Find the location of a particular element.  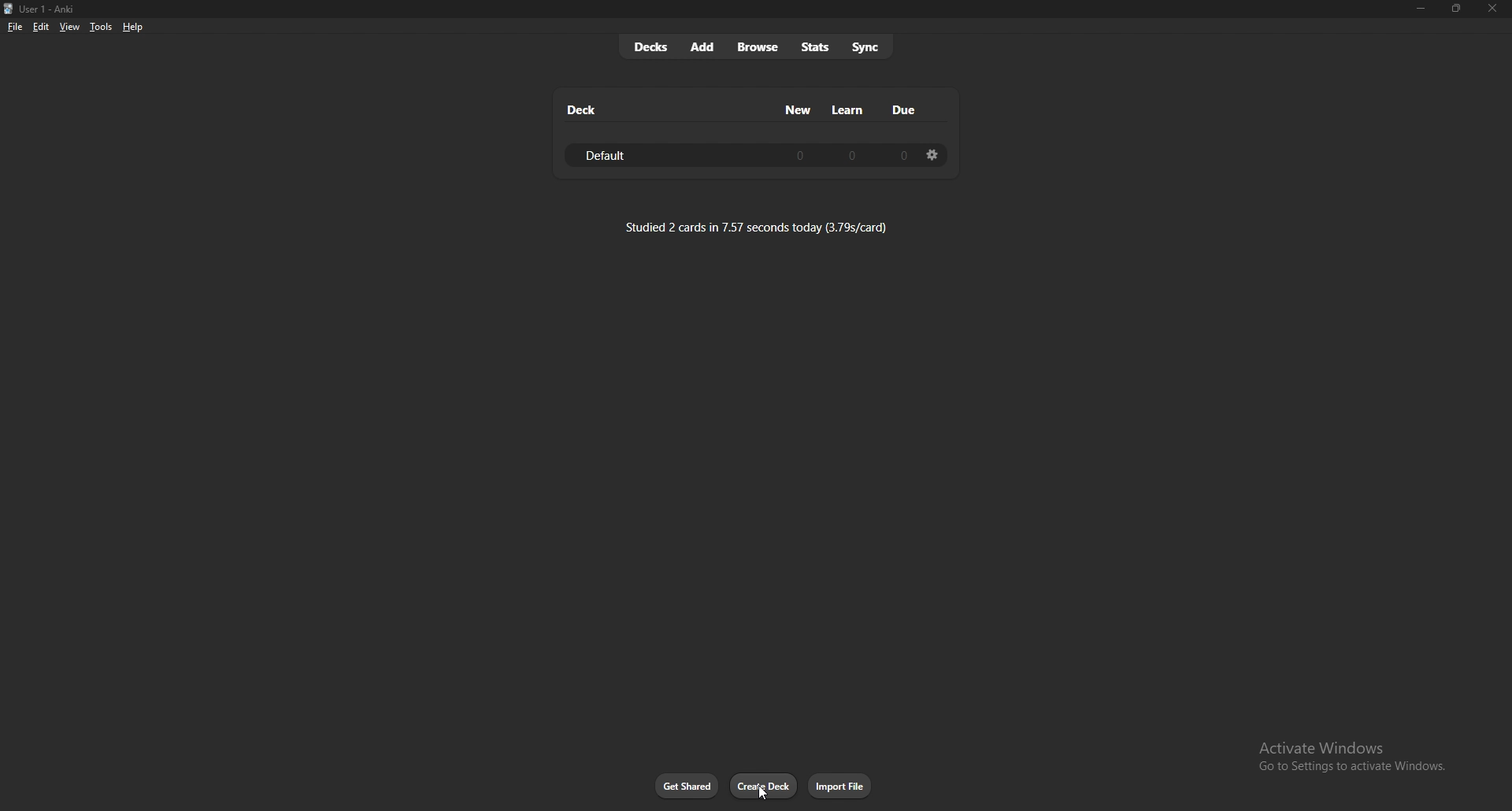

Maximize/resize is located at coordinates (1455, 9).